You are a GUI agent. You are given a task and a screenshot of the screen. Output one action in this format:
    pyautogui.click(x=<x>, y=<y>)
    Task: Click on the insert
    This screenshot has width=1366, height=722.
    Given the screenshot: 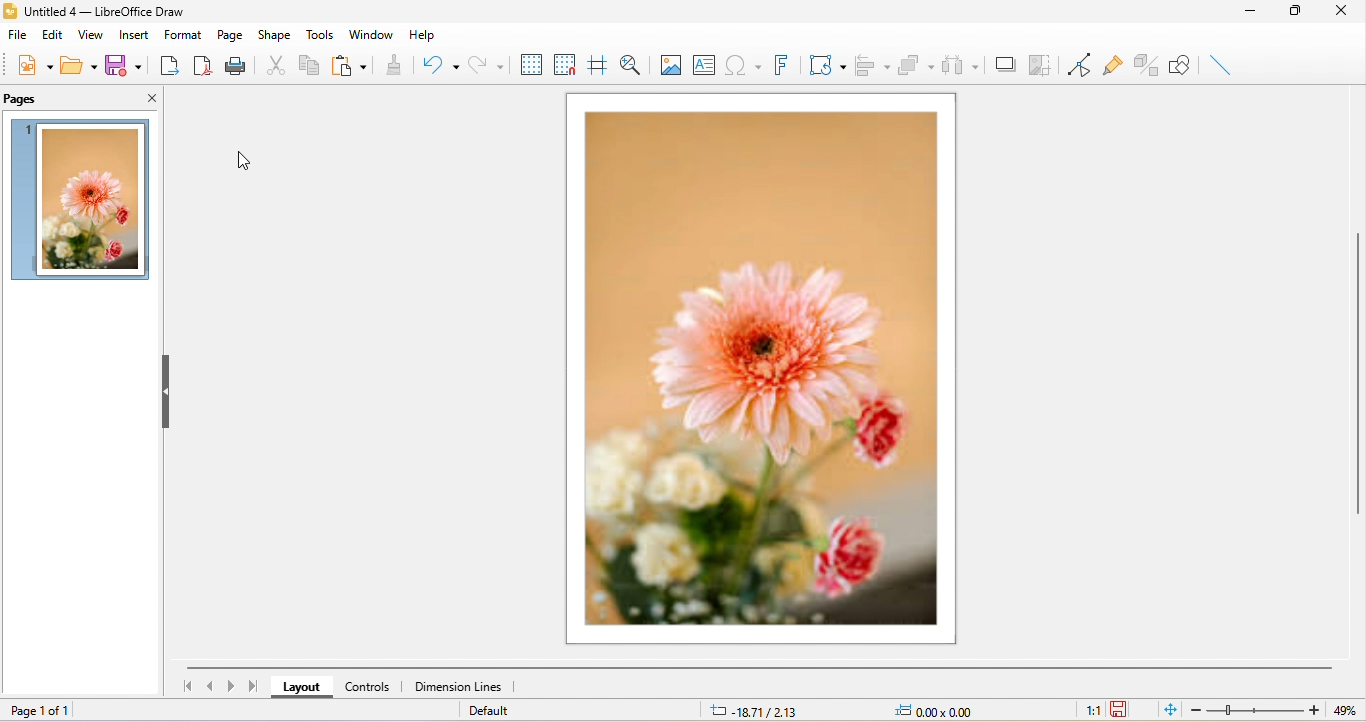 What is the action you would take?
    pyautogui.click(x=135, y=35)
    